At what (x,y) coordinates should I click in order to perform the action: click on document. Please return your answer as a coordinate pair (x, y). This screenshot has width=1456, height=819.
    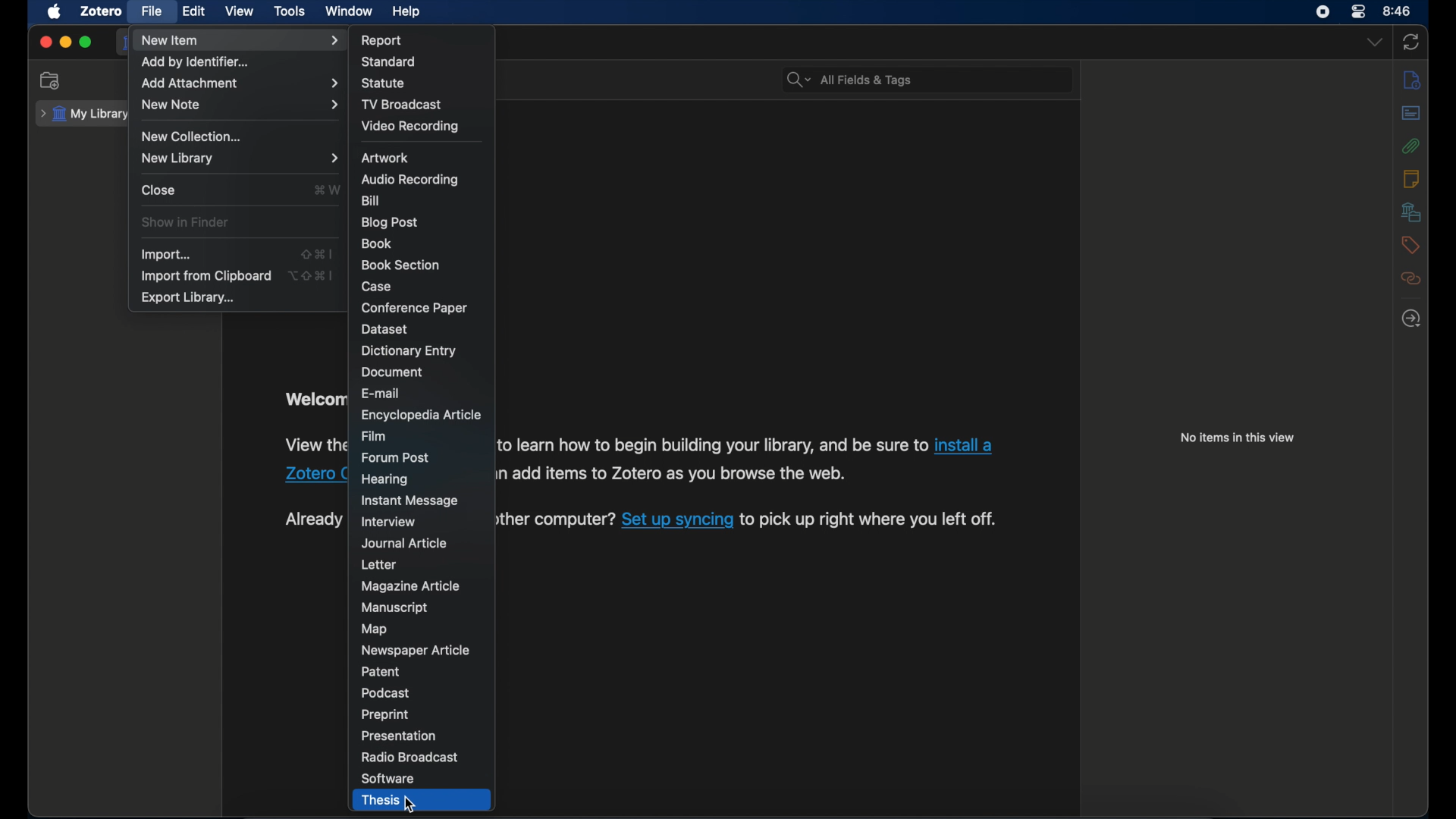
    Looking at the image, I should click on (391, 372).